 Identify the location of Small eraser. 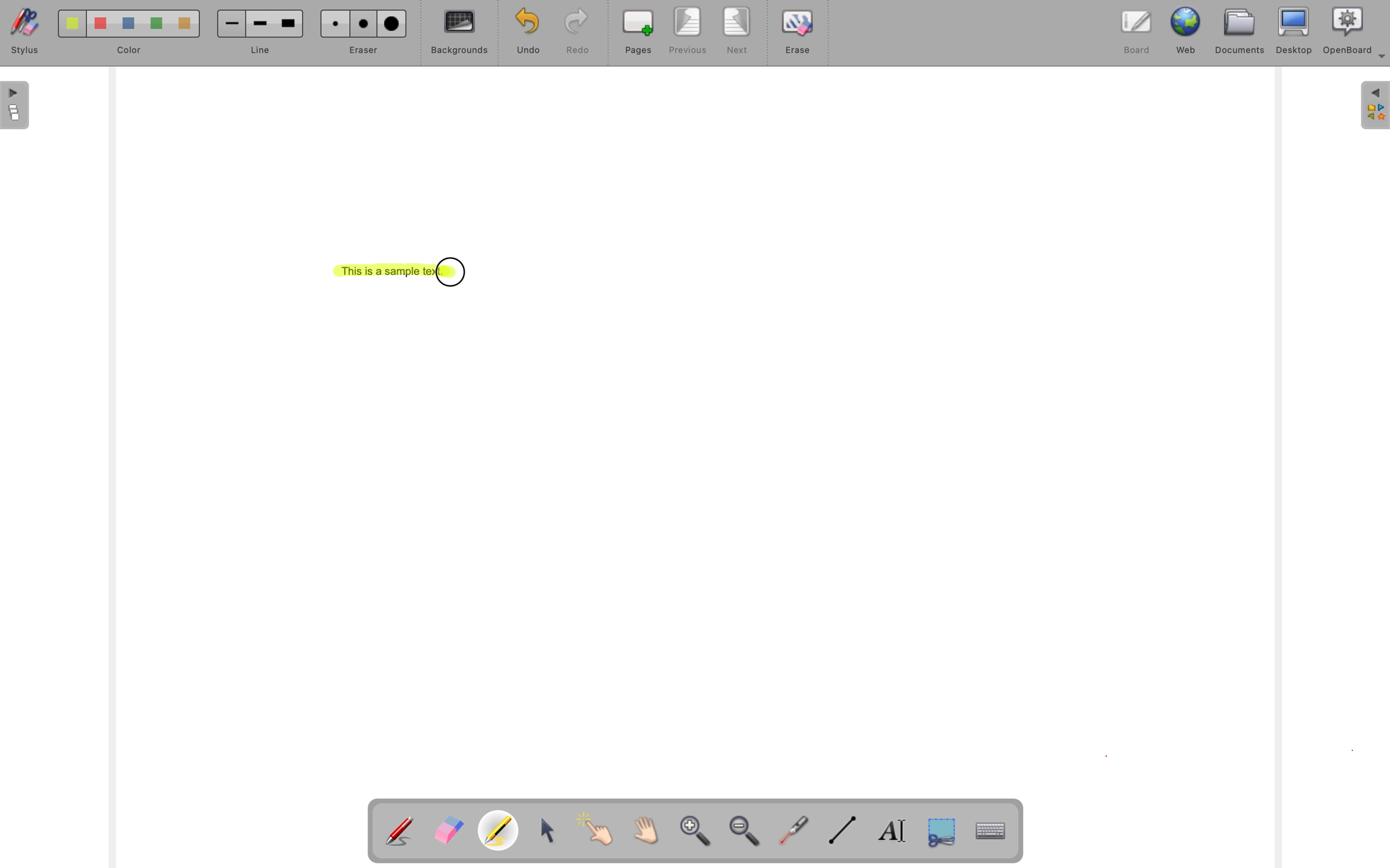
(334, 24).